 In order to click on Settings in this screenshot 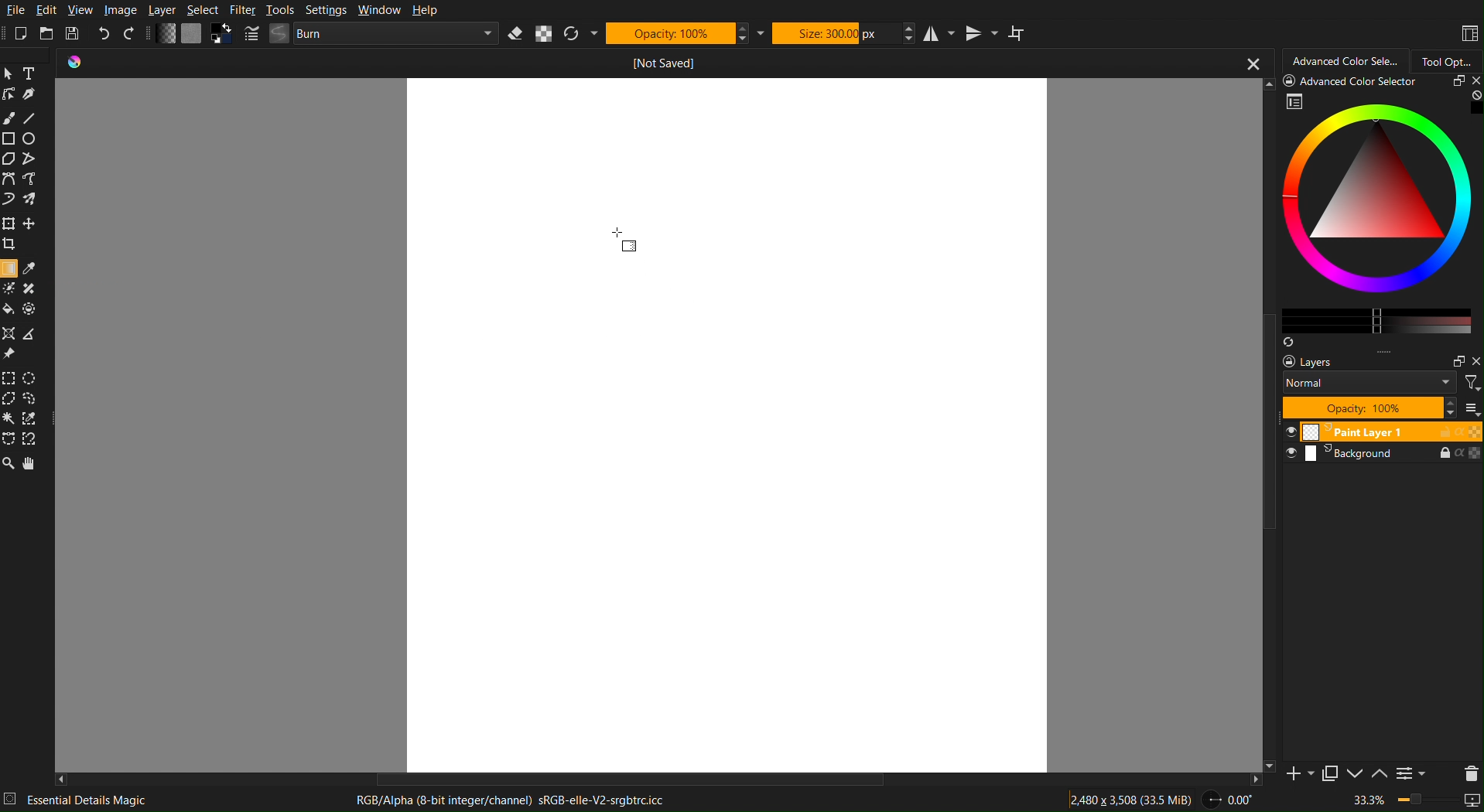, I will do `click(1410, 775)`.